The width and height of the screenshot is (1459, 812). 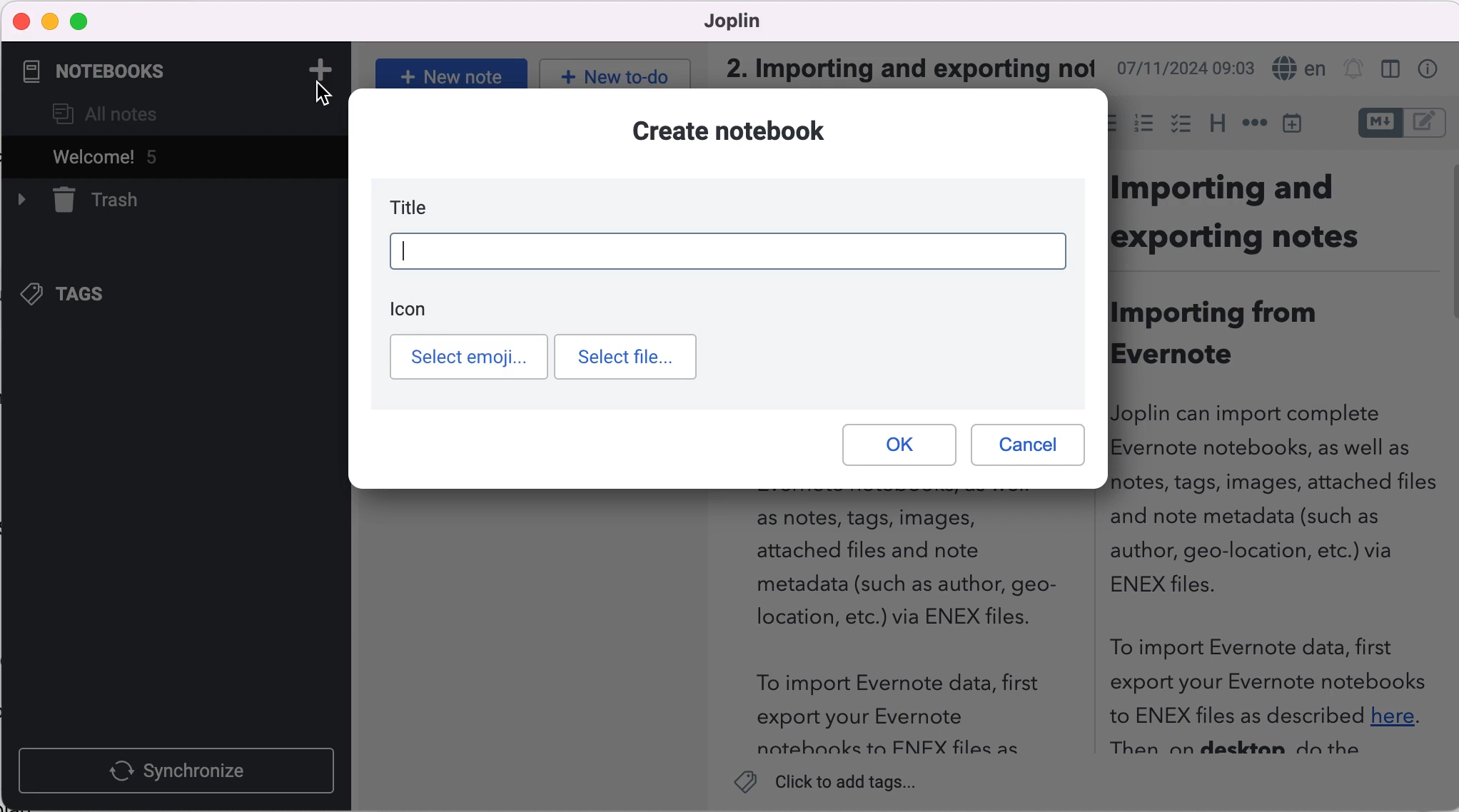 What do you see at coordinates (1394, 71) in the screenshot?
I see `toggle editor layout` at bounding box center [1394, 71].